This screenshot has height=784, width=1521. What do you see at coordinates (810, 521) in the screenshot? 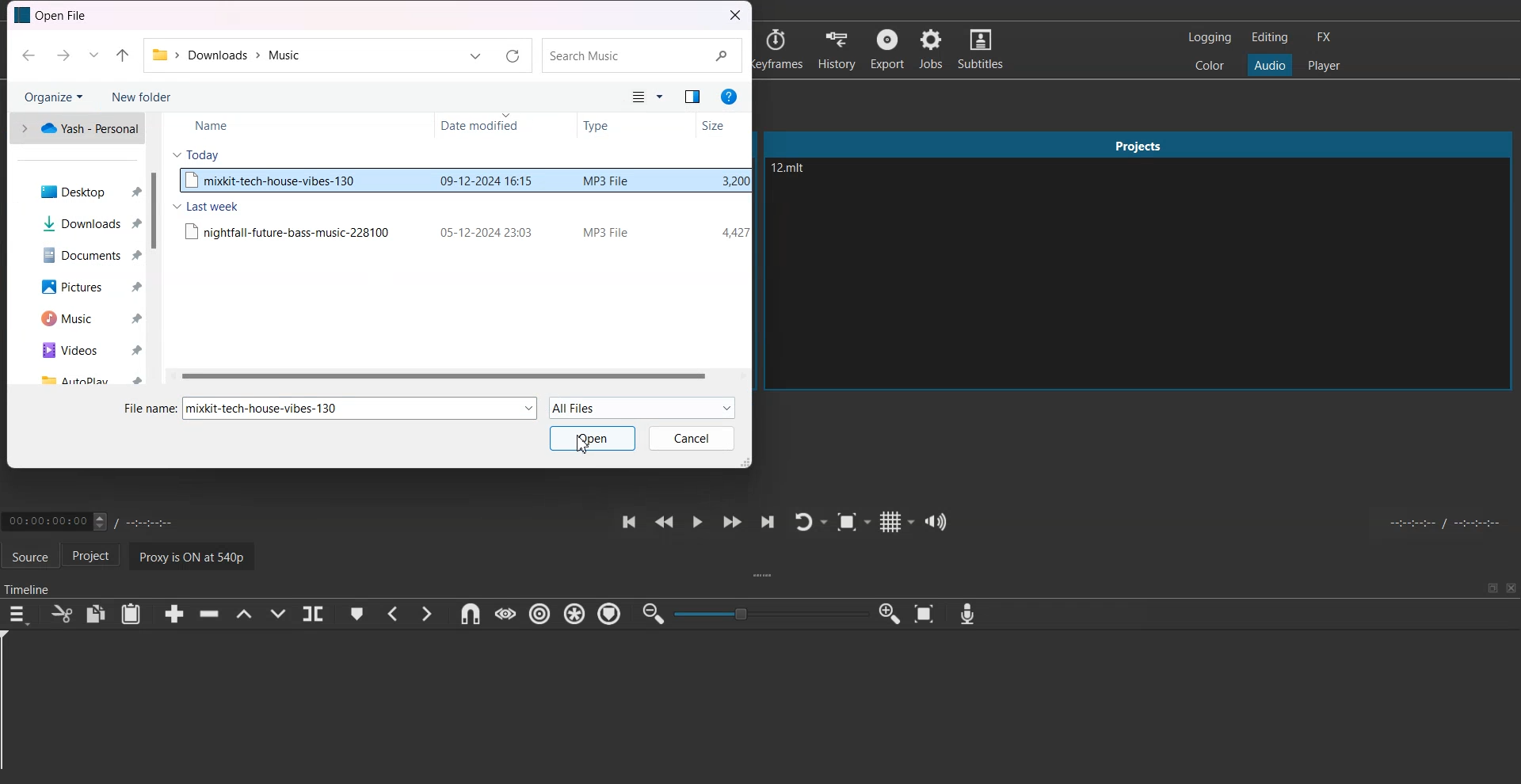
I see `Toggle player looping` at bounding box center [810, 521].